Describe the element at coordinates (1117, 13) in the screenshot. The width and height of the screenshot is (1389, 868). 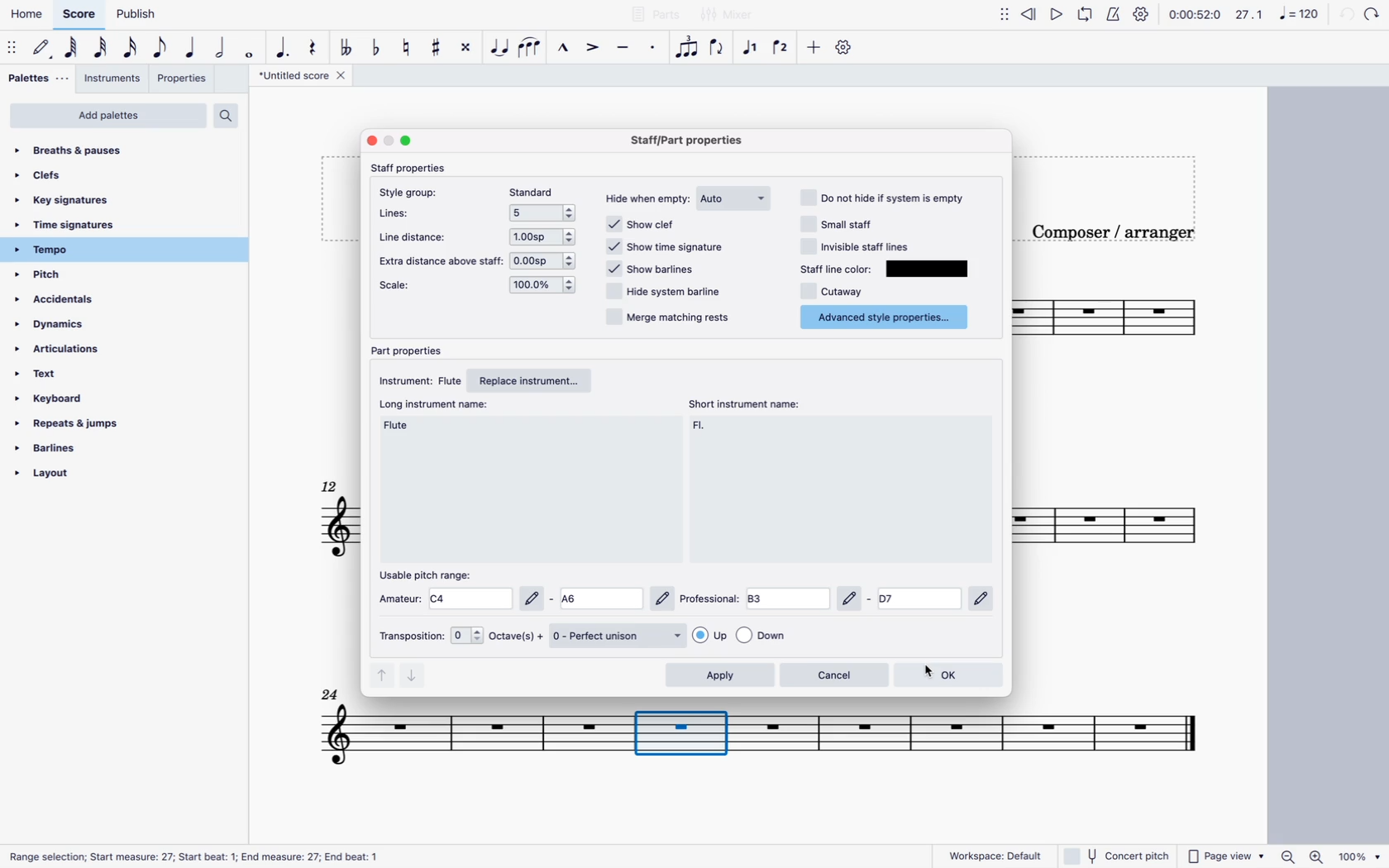
I see `metronome` at that location.